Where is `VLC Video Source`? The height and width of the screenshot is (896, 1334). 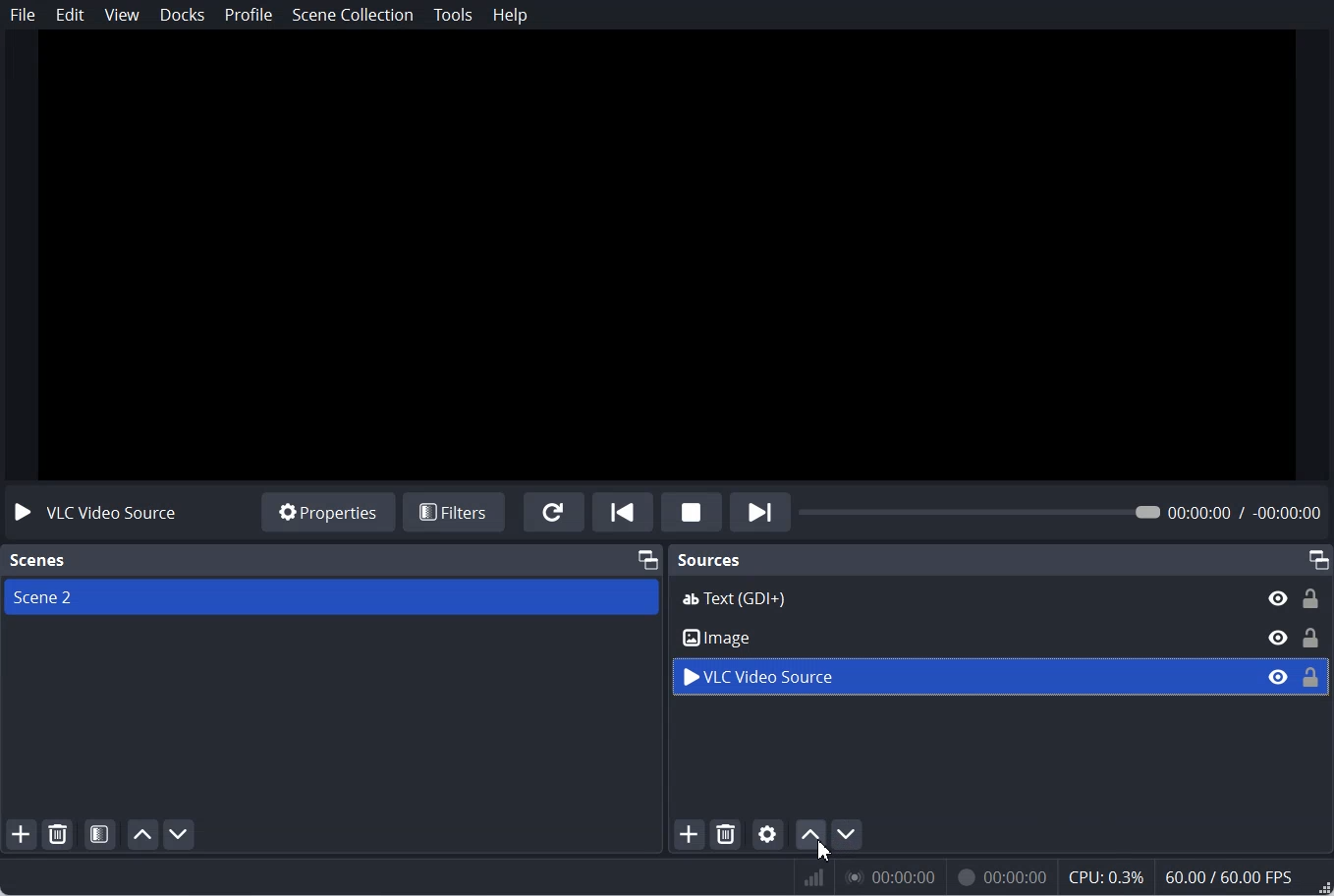 VLC Video Source is located at coordinates (1001, 677).